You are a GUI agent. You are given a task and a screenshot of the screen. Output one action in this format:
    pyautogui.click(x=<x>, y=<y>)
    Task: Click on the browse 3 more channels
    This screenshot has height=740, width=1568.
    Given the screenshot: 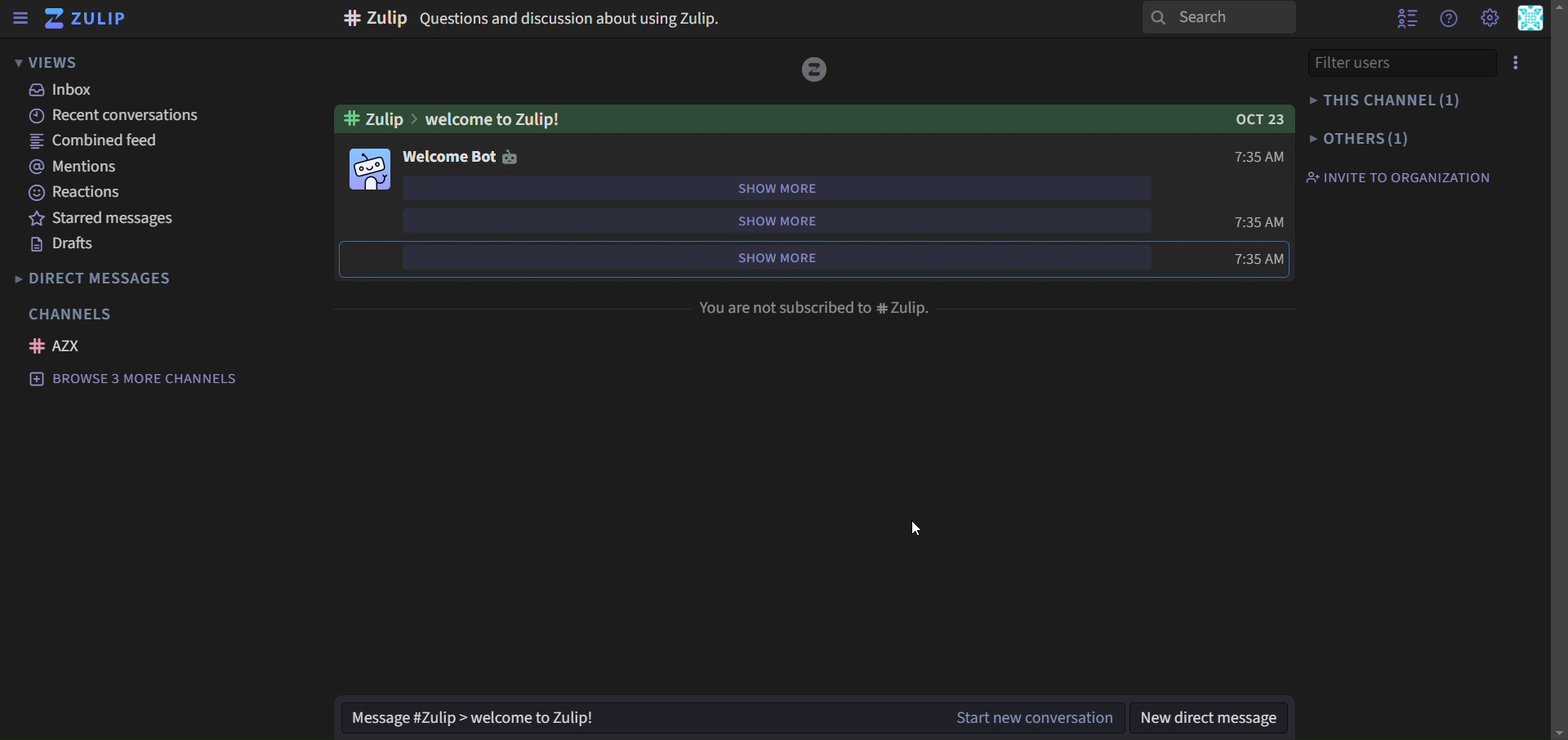 What is the action you would take?
    pyautogui.click(x=135, y=380)
    